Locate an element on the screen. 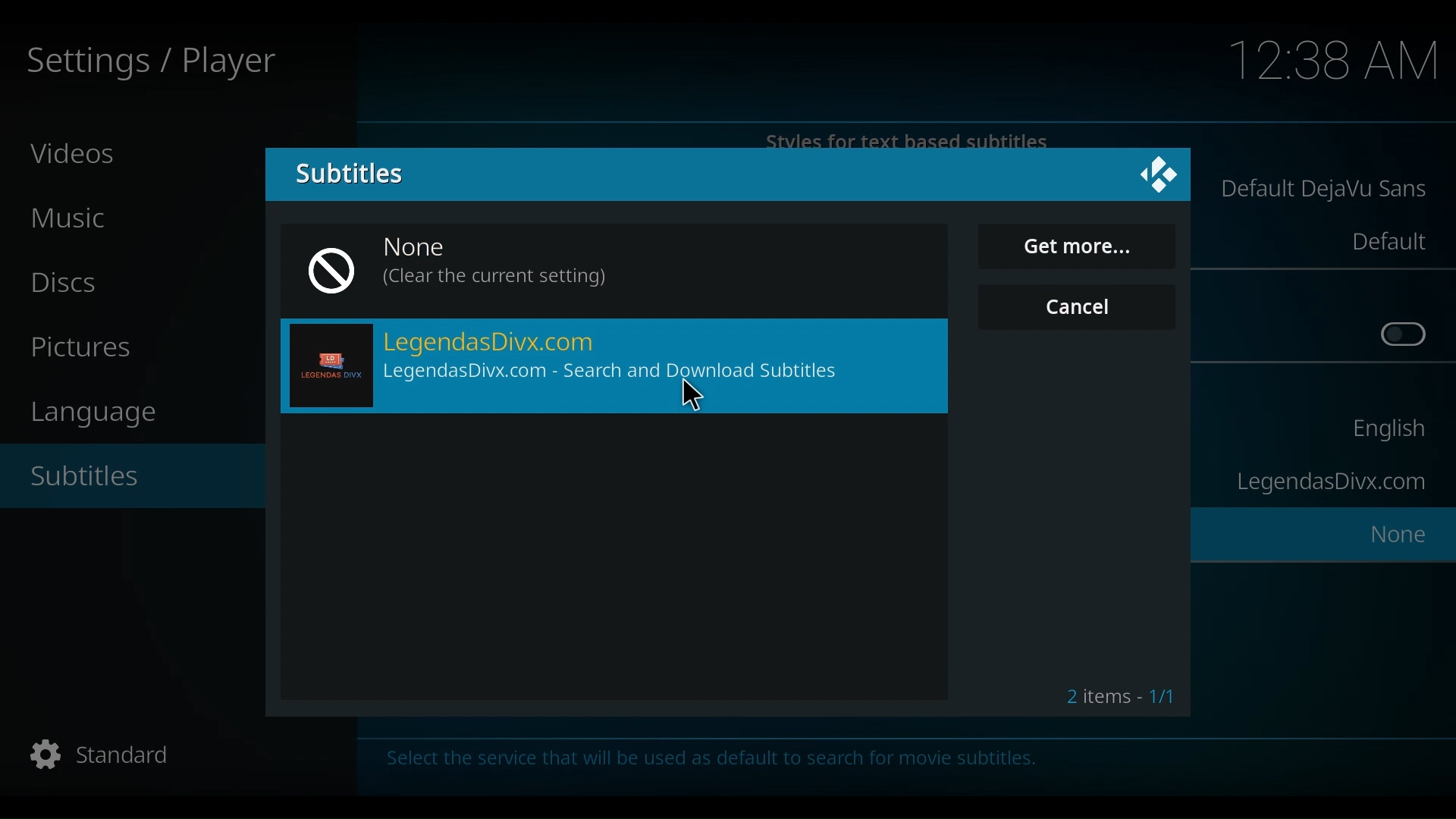 The height and width of the screenshot is (819, 1456). Settings/player is located at coordinates (149, 63).